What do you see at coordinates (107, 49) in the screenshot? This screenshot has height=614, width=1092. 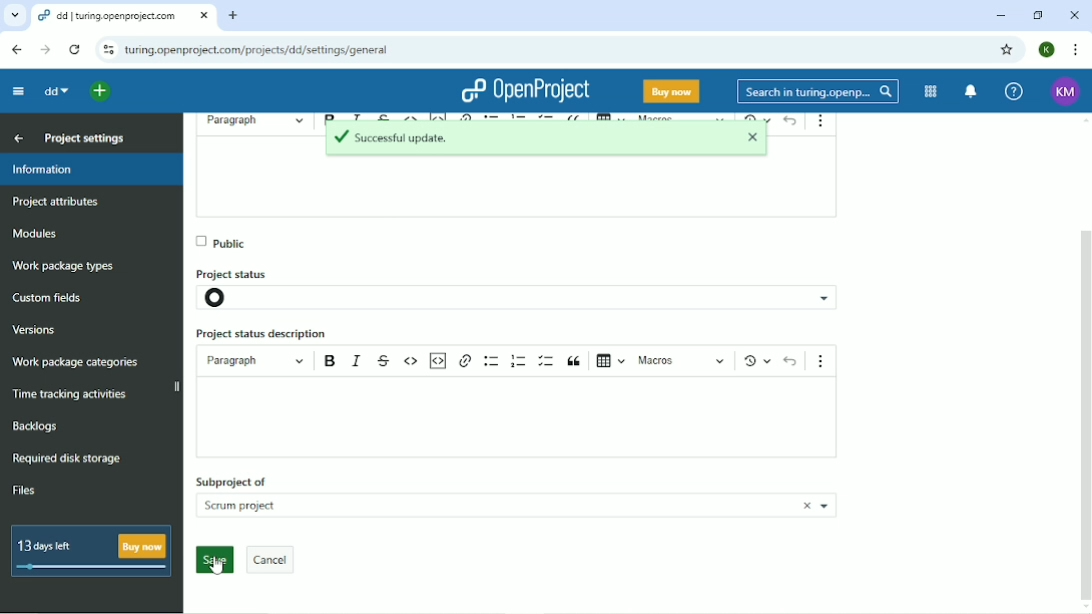 I see `View site information` at bounding box center [107, 49].